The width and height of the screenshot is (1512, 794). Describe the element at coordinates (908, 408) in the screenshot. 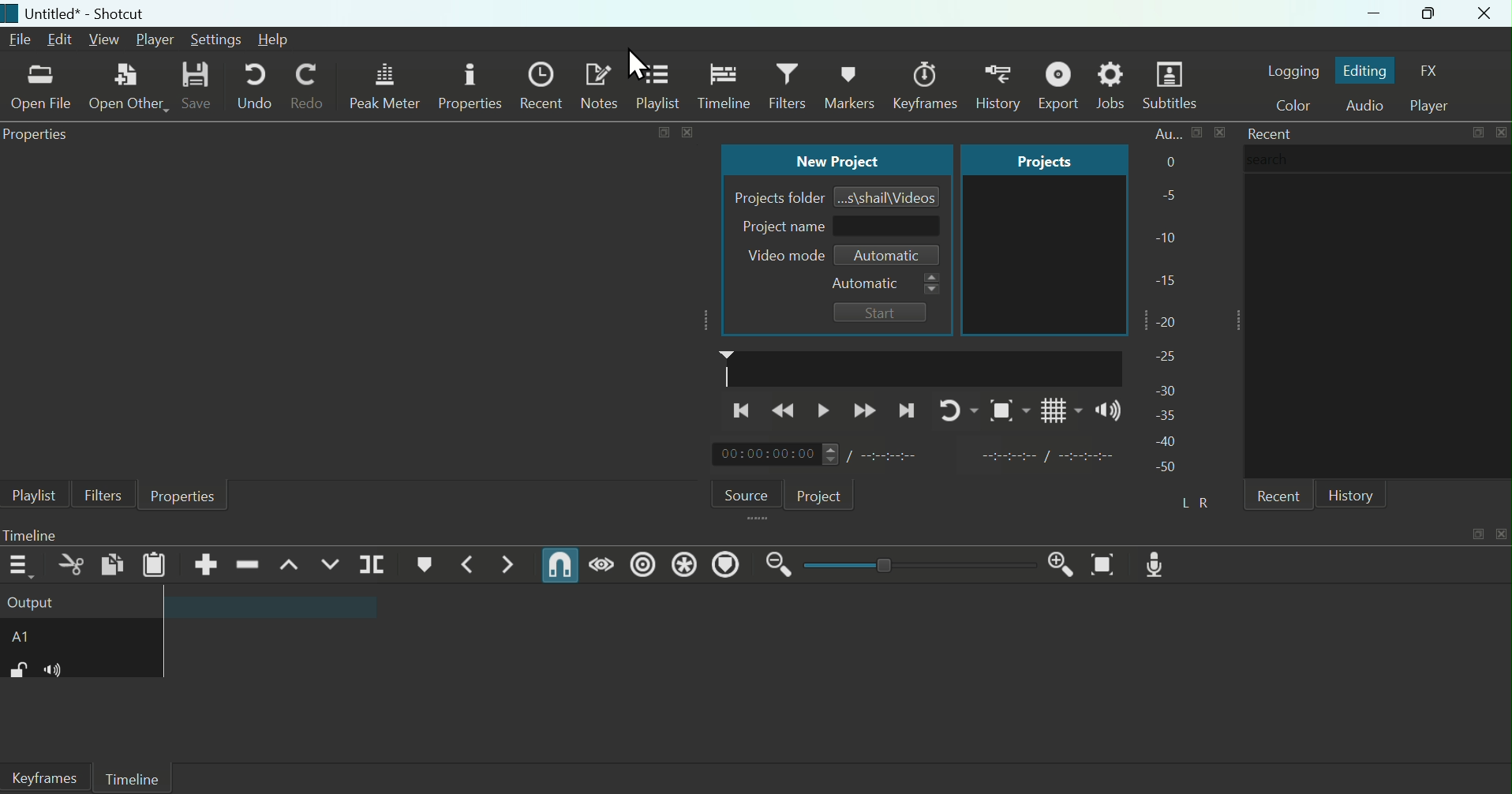

I see `Next` at that location.